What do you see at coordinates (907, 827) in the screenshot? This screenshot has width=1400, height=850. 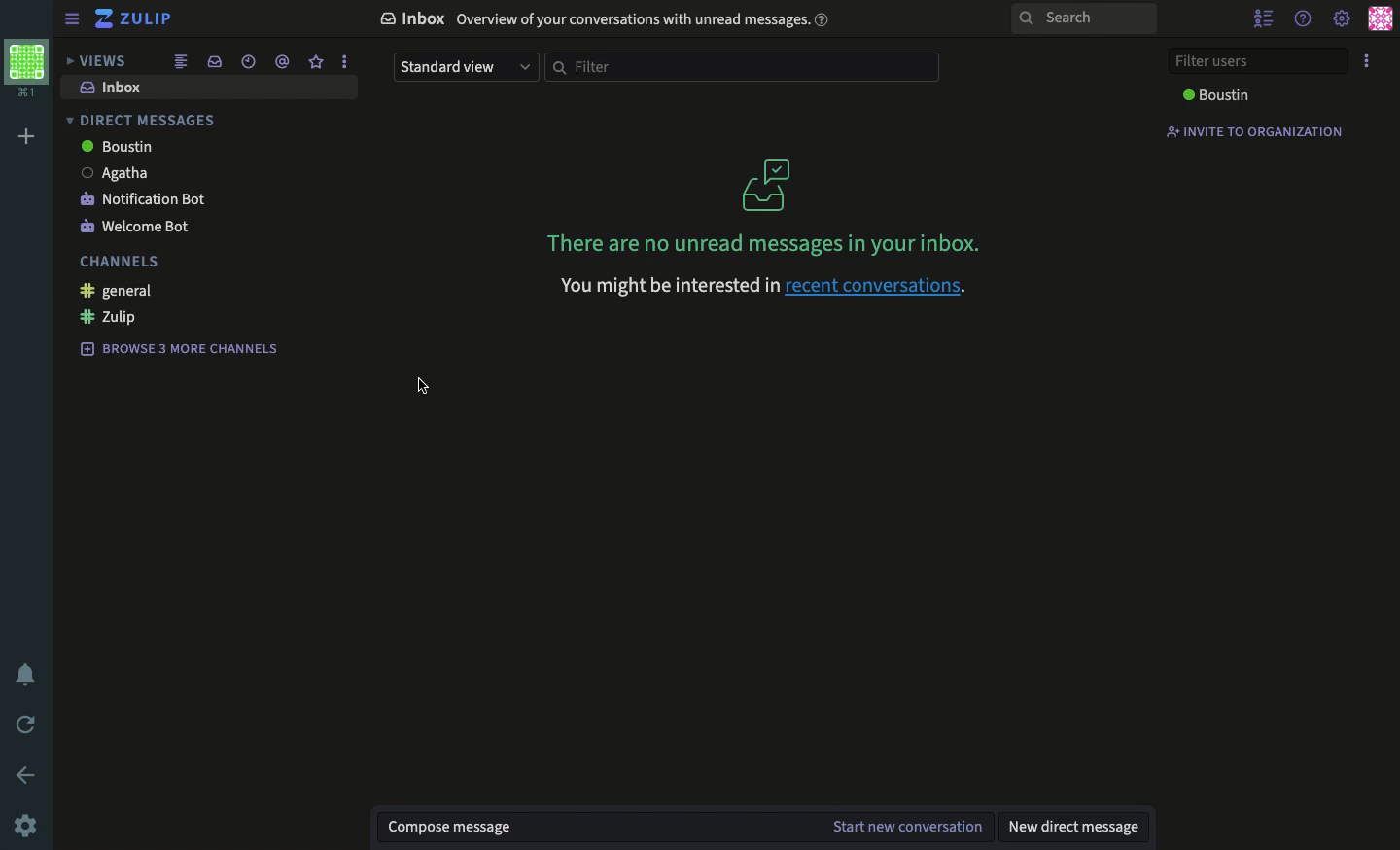 I see `start new conversation` at bounding box center [907, 827].